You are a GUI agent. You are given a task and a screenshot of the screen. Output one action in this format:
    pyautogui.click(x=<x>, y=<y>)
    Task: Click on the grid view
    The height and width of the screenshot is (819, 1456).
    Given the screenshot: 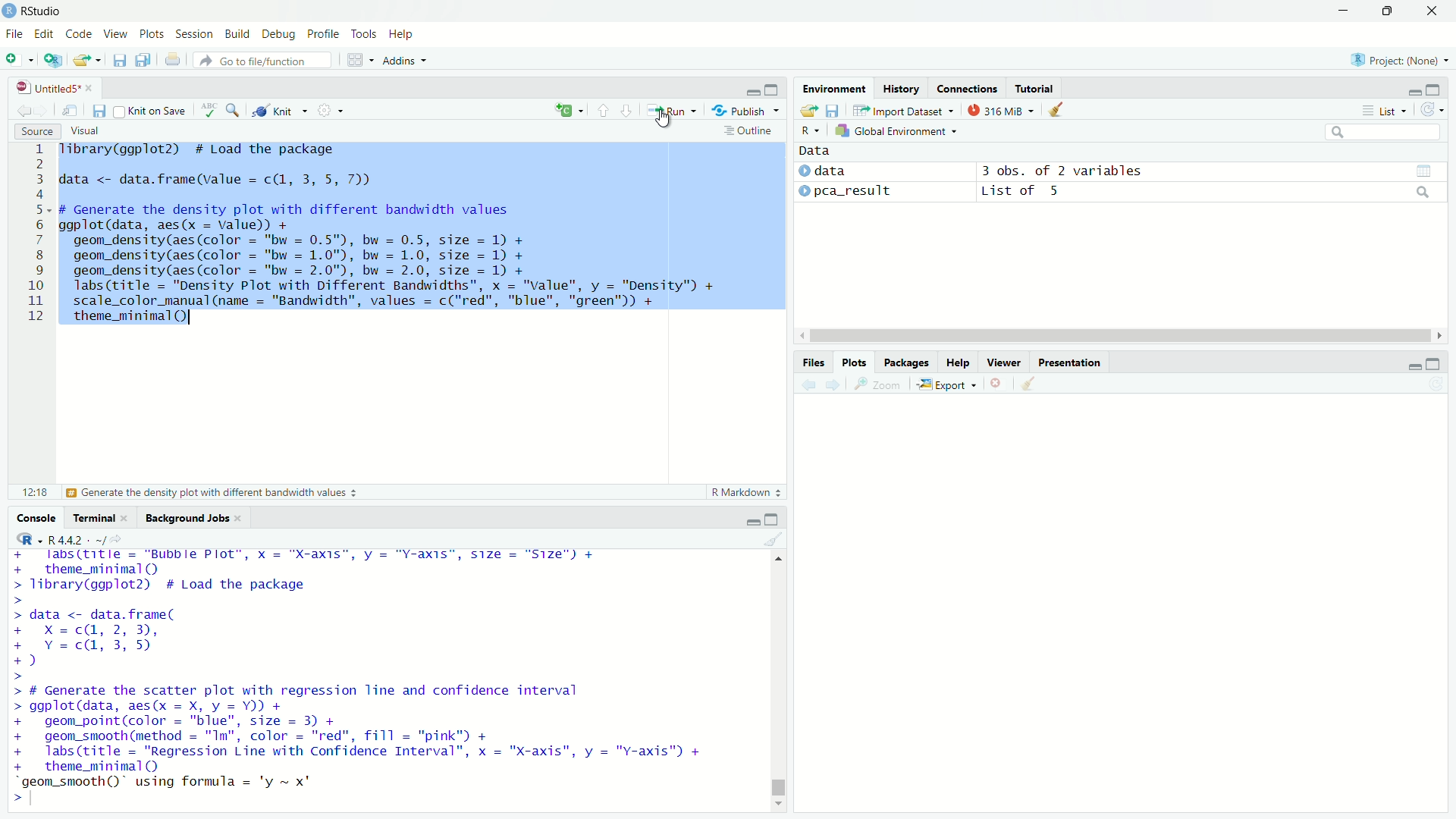 What is the action you would take?
    pyautogui.click(x=1424, y=171)
    